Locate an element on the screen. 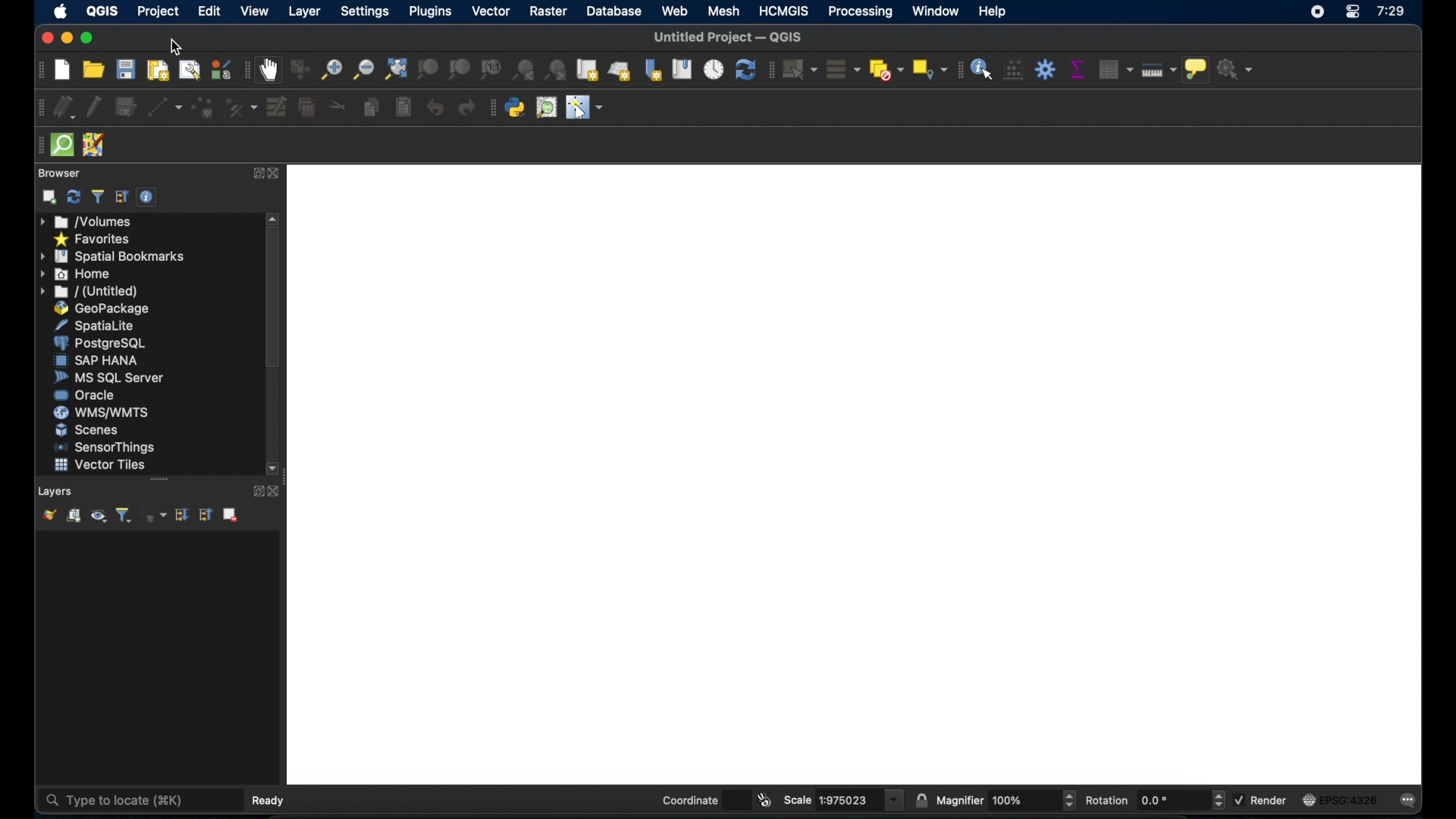  scenes is located at coordinates (93, 430).